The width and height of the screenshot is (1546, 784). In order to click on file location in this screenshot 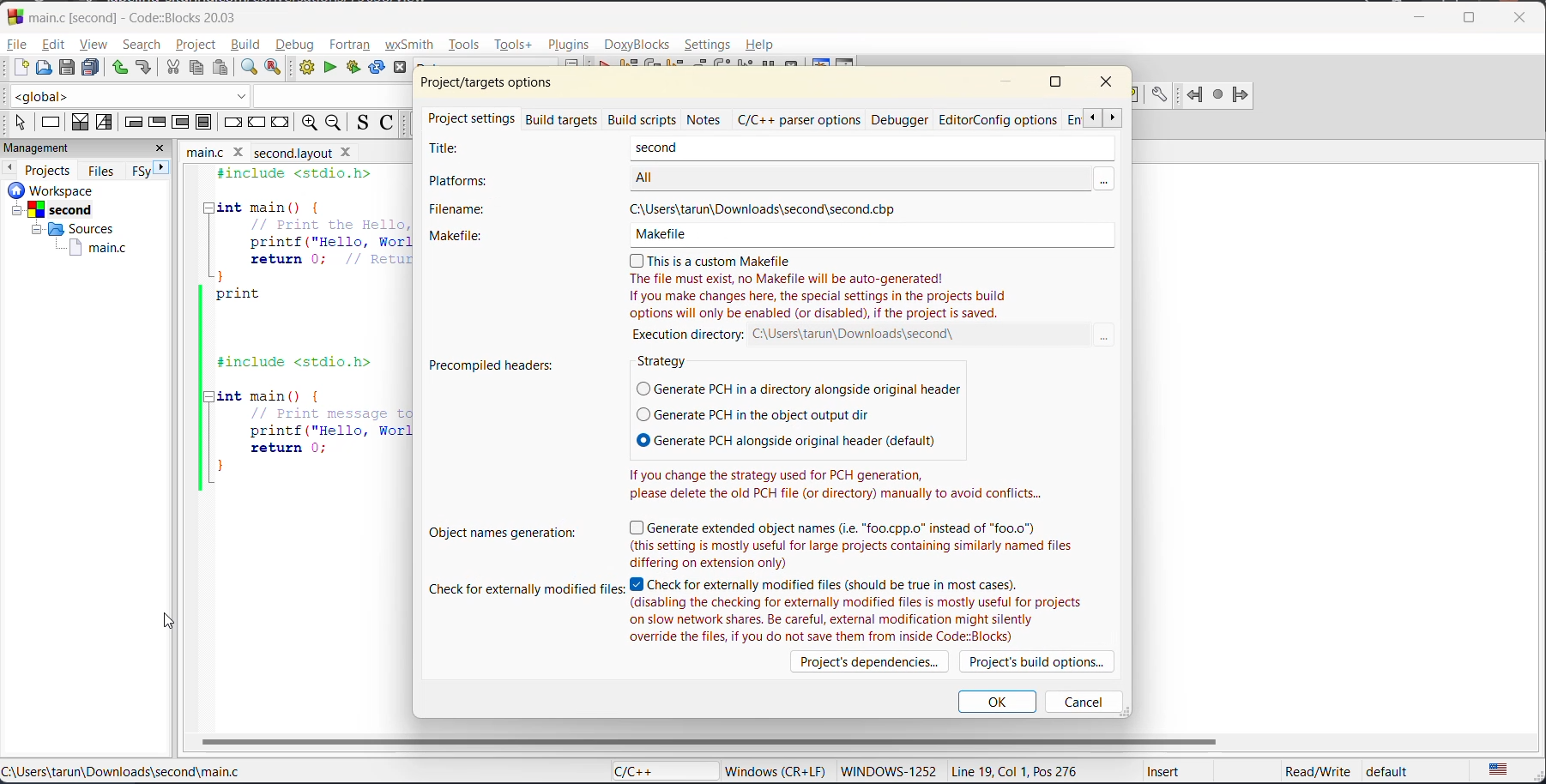, I will do `click(124, 771)`.